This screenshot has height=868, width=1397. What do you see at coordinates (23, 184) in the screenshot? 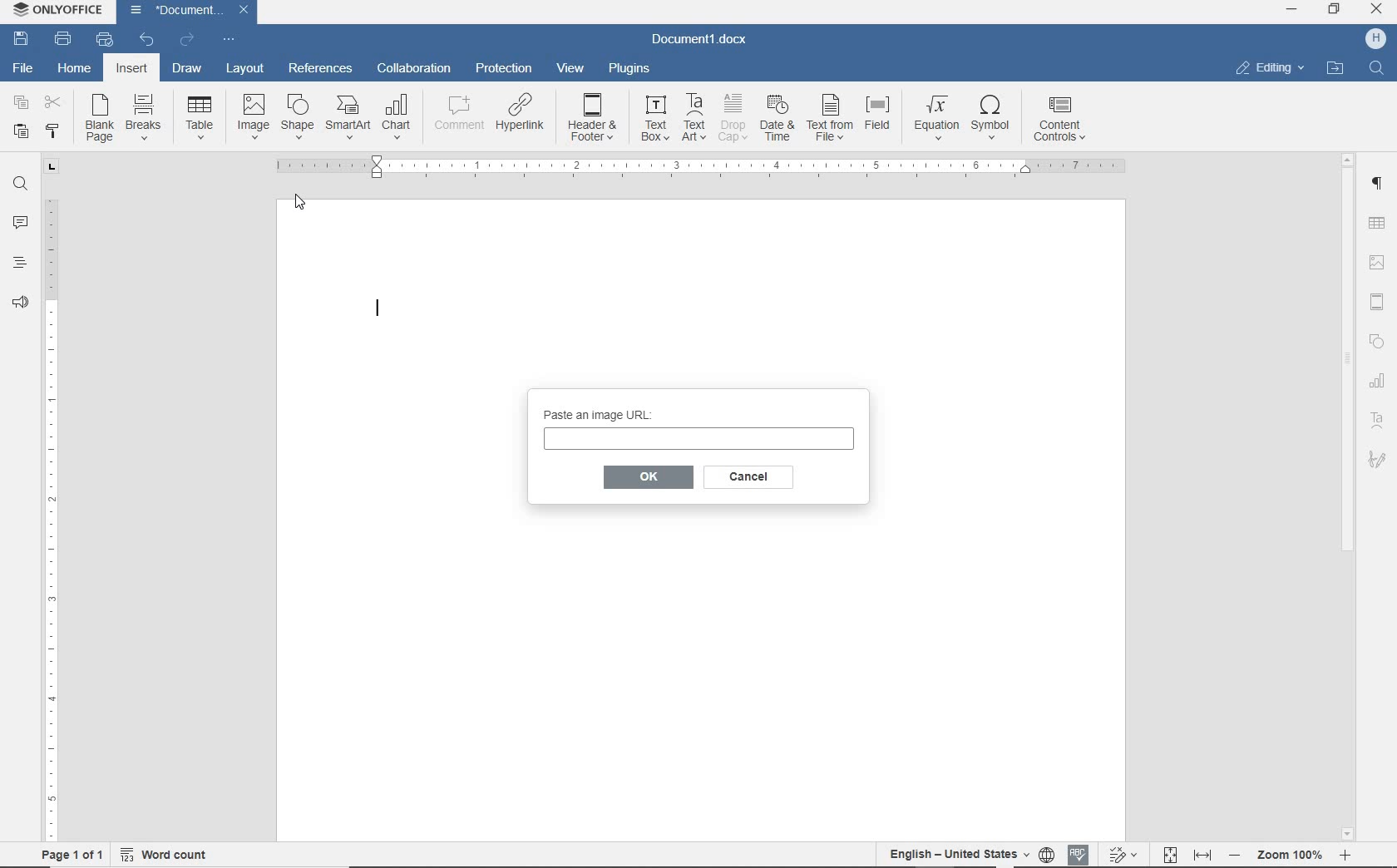
I see `find and replace` at bounding box center [23, 184].